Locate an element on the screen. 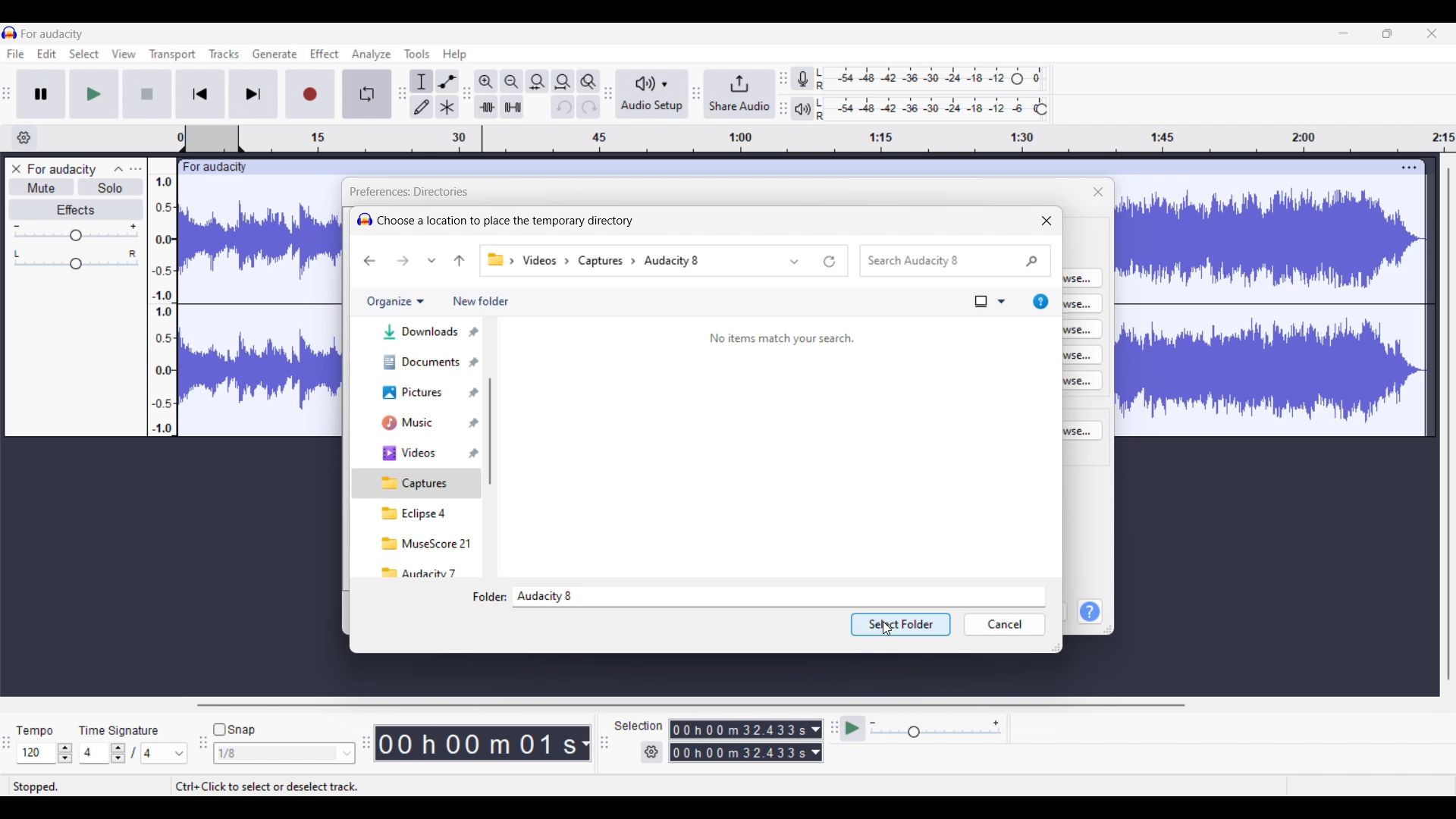 Image resolution: width=1456 pixels, height=819 pixels. Cancel is located at coordinates (1005, 624).